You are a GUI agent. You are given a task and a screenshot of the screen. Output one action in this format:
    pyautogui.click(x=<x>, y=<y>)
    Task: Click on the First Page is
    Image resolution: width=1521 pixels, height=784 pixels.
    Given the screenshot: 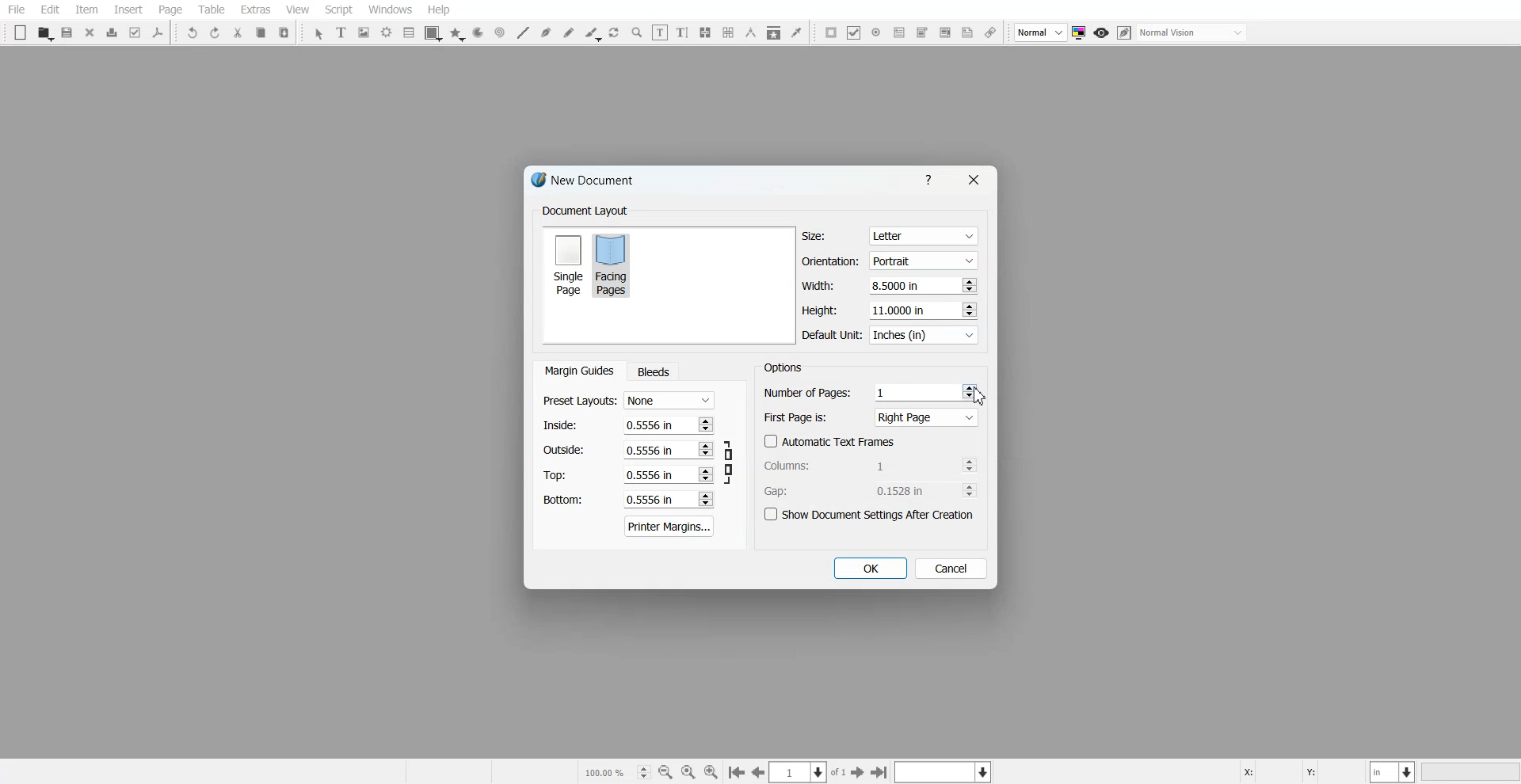 What is the action you would take?
    pyautogui.click(x=871, y=417)
    